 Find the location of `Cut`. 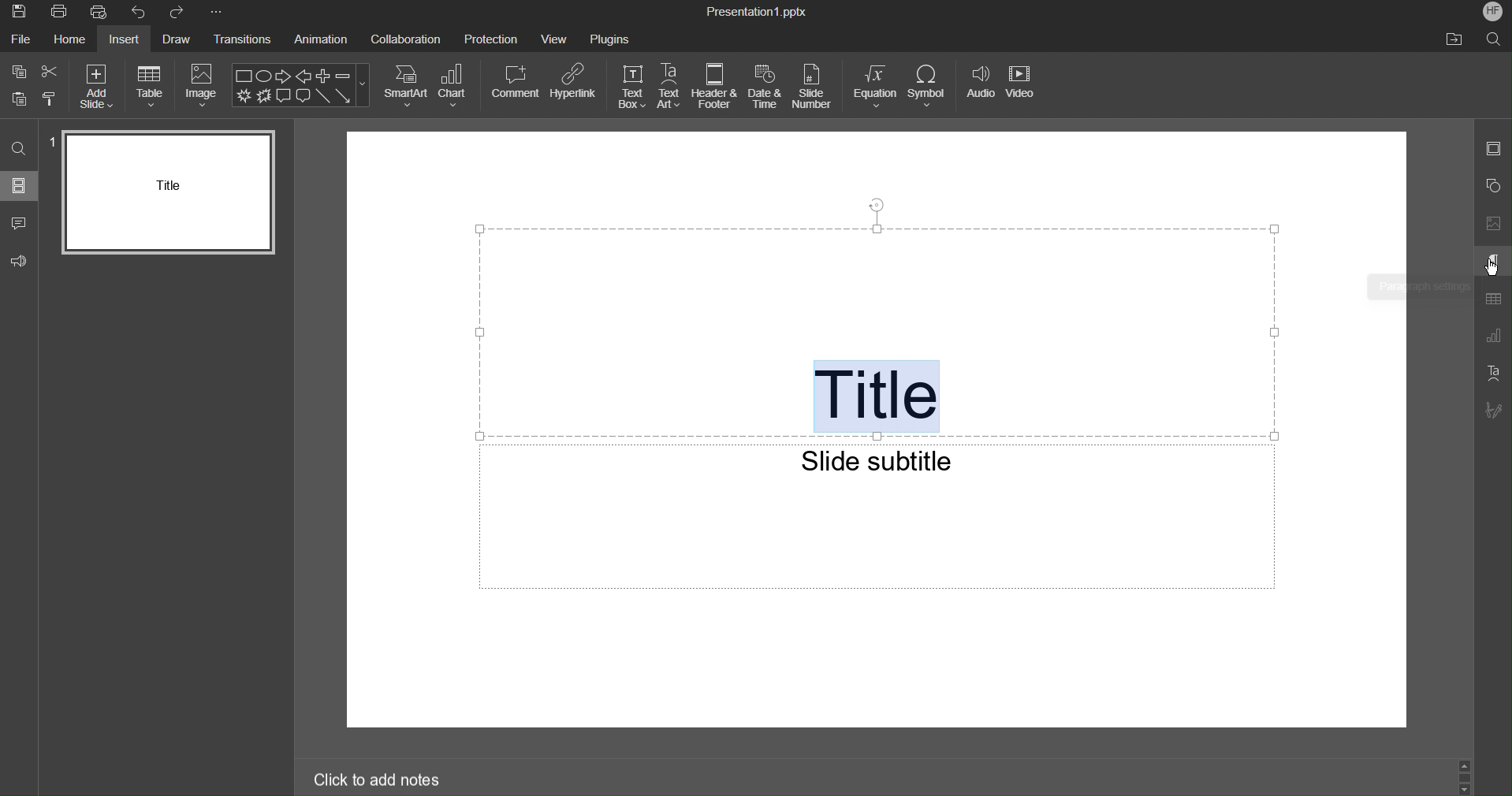

Cut is located at coordinates (51, 73).